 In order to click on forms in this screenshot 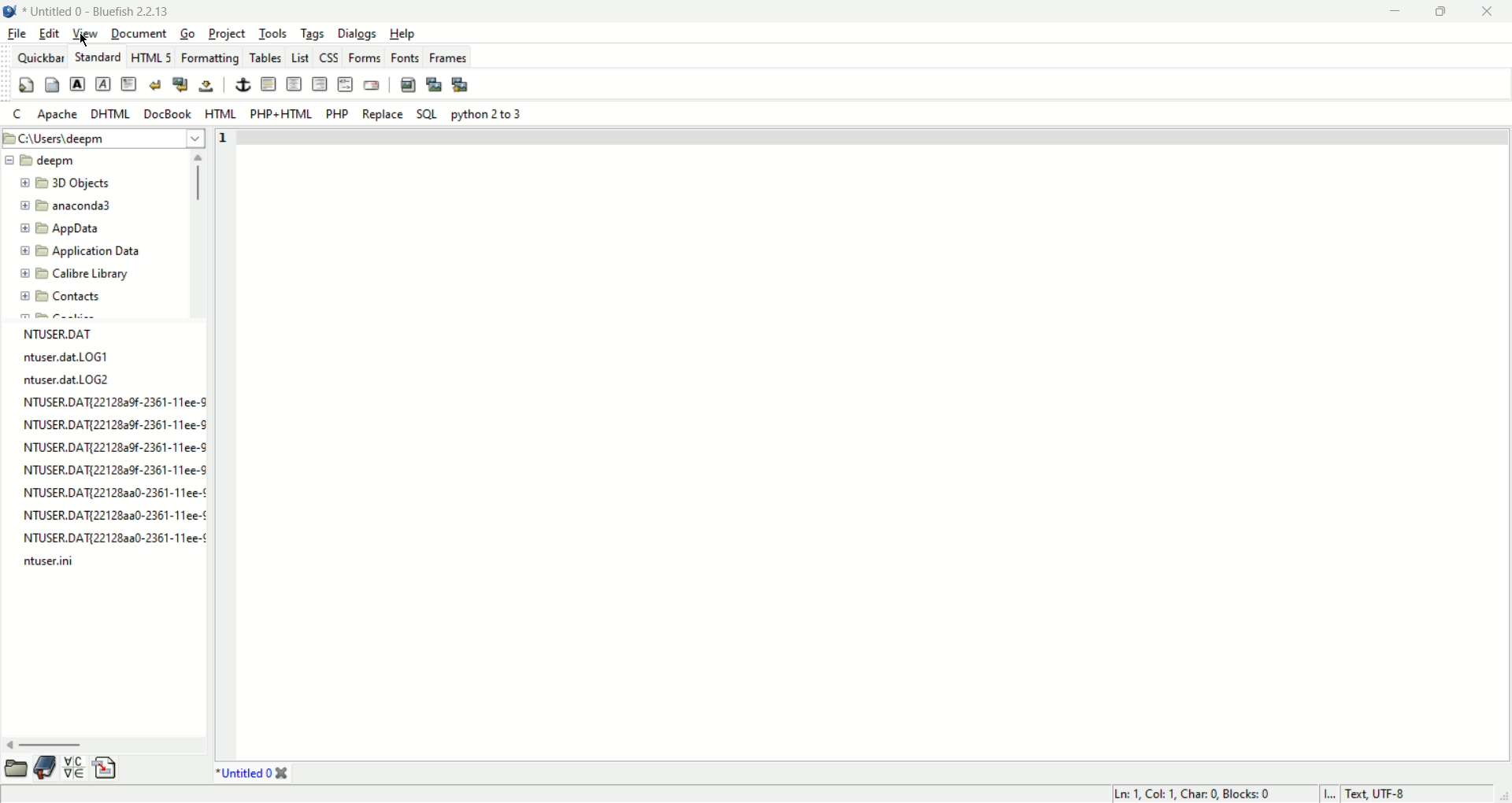, I will do `click(365, 56)`.